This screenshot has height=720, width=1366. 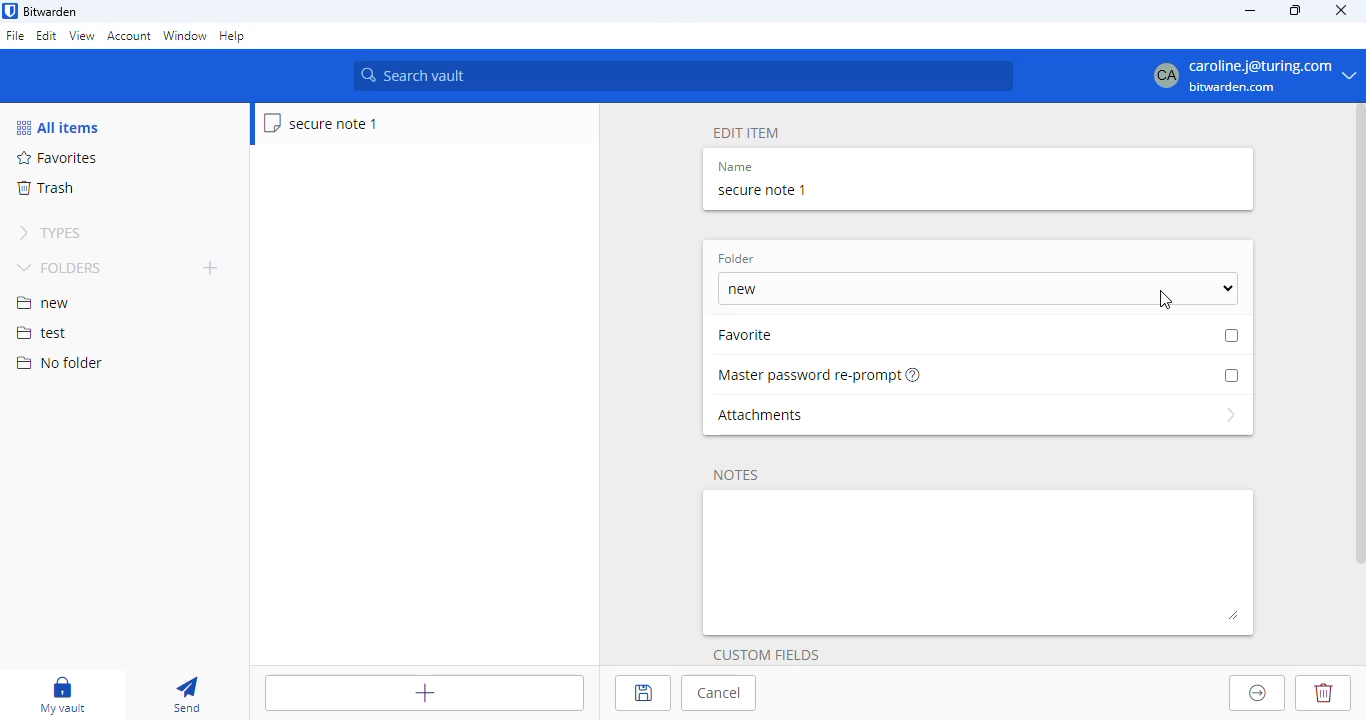 What do you see at coordinates (977, 288) in the screenshot?
I see `new` at bounding box center [977, 288].